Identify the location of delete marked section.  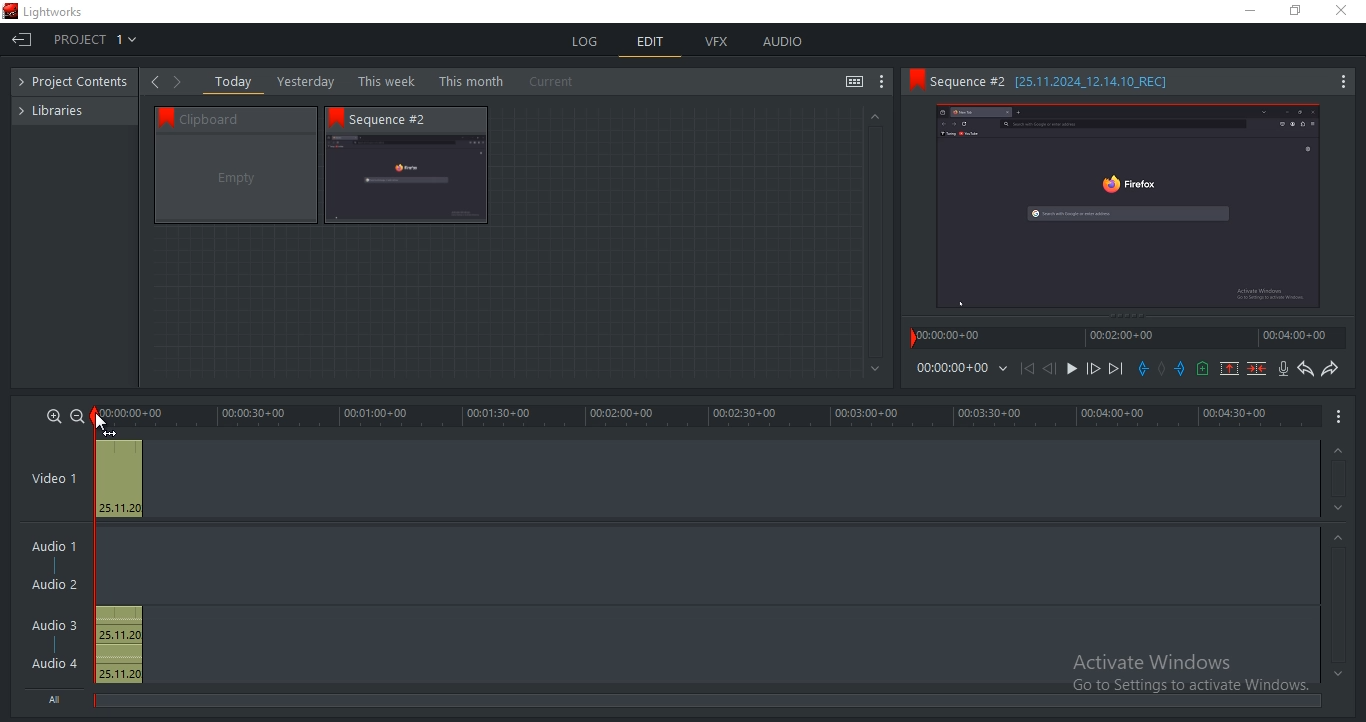
(1258, 368).